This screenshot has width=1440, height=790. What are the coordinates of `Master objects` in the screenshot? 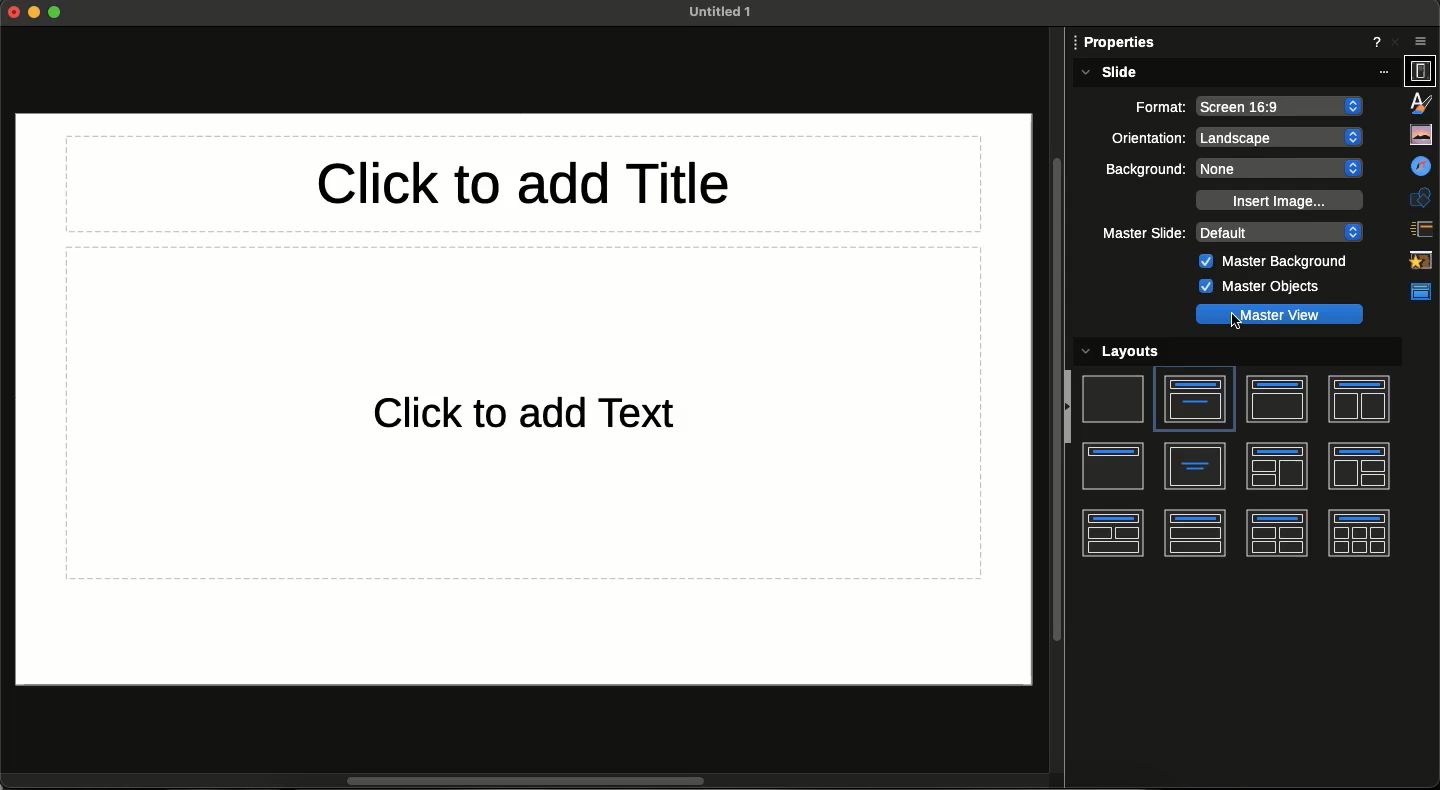 It's located at (1258, 287).